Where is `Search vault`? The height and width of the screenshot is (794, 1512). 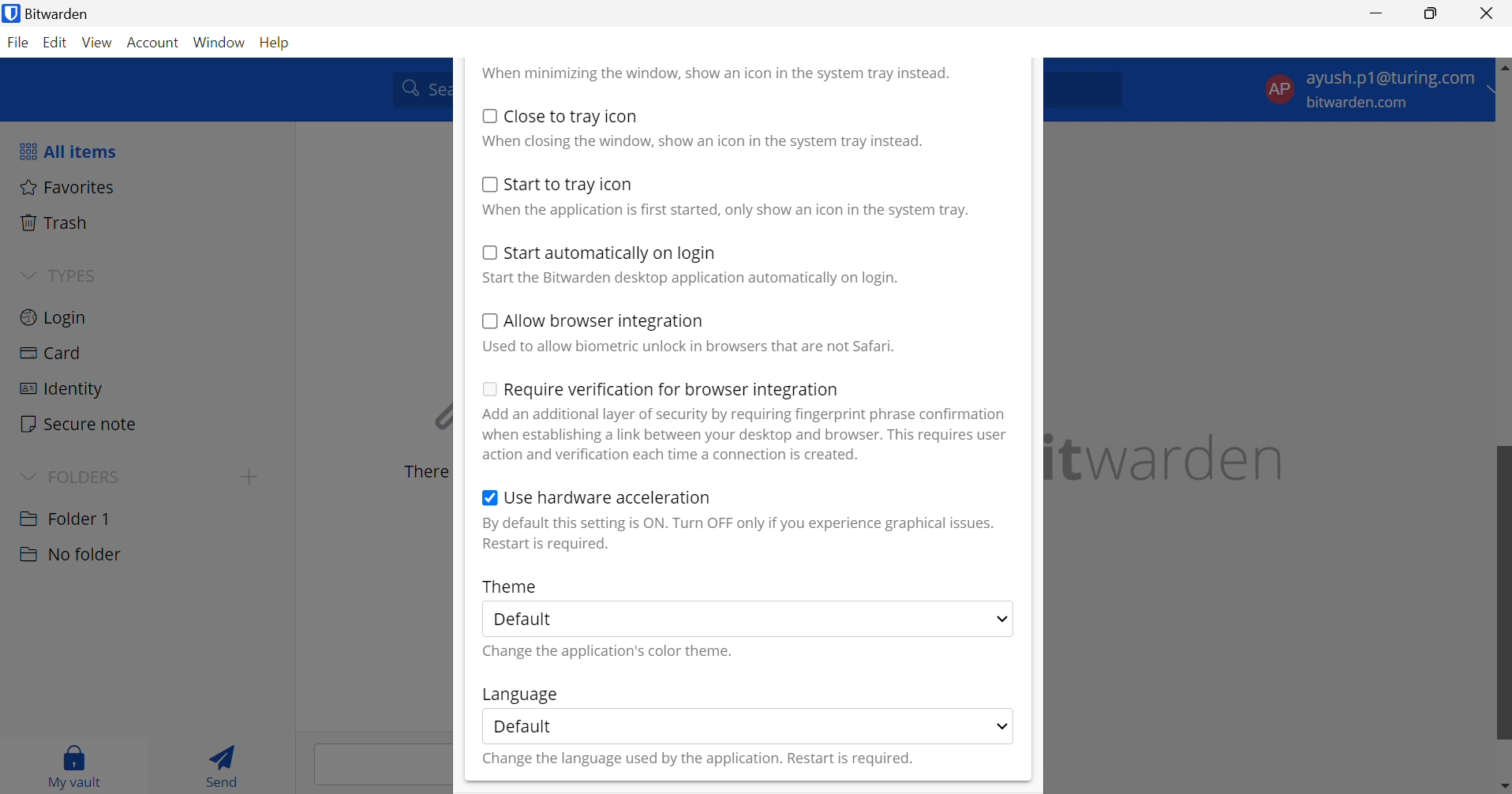 Search vault is located at coordinates (417, 88).